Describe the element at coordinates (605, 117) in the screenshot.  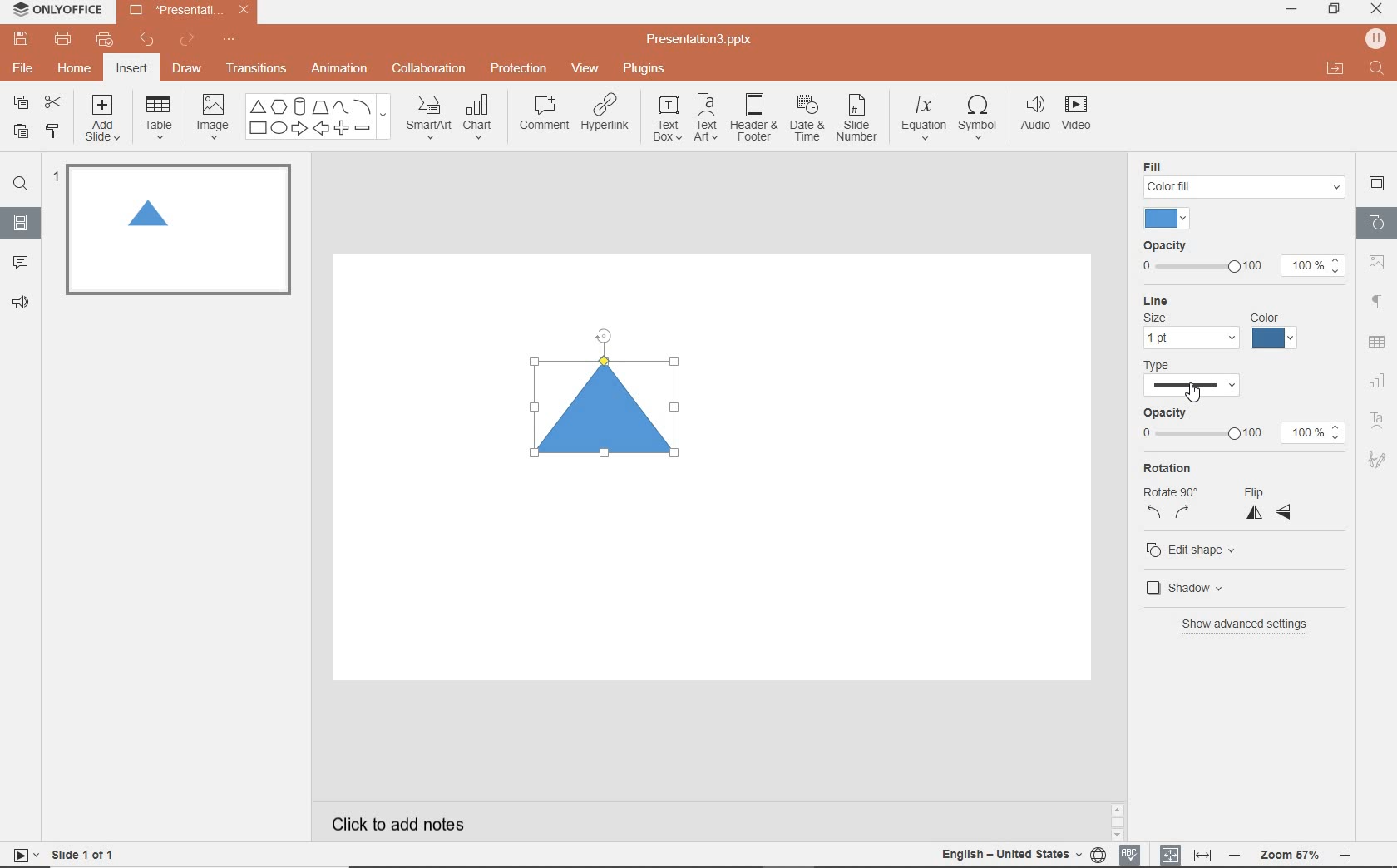
I see `HYPERLINK` at that location.